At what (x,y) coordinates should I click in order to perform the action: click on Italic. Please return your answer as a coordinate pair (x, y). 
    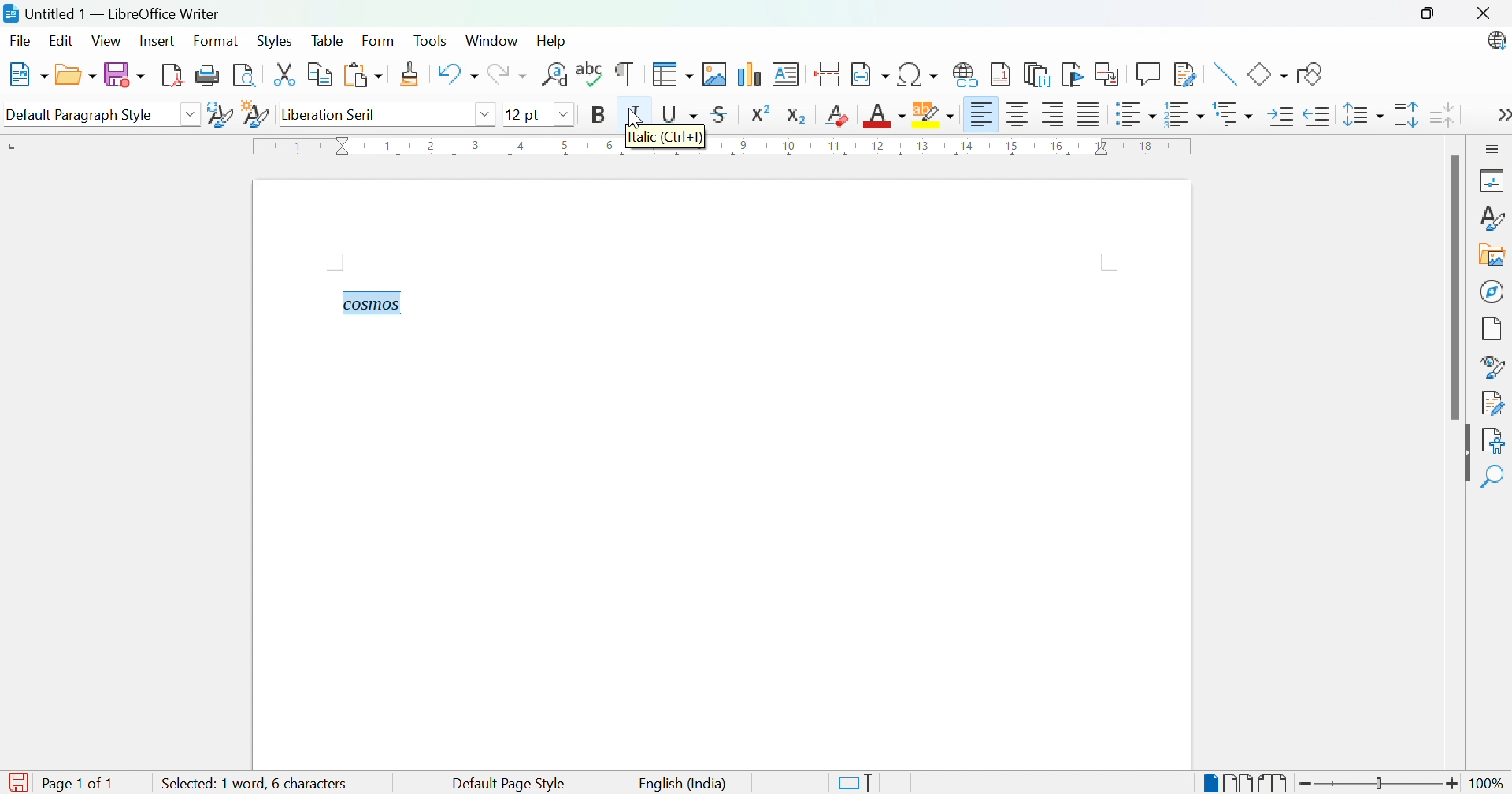
    Looking at the image, I should click on (636, 114).